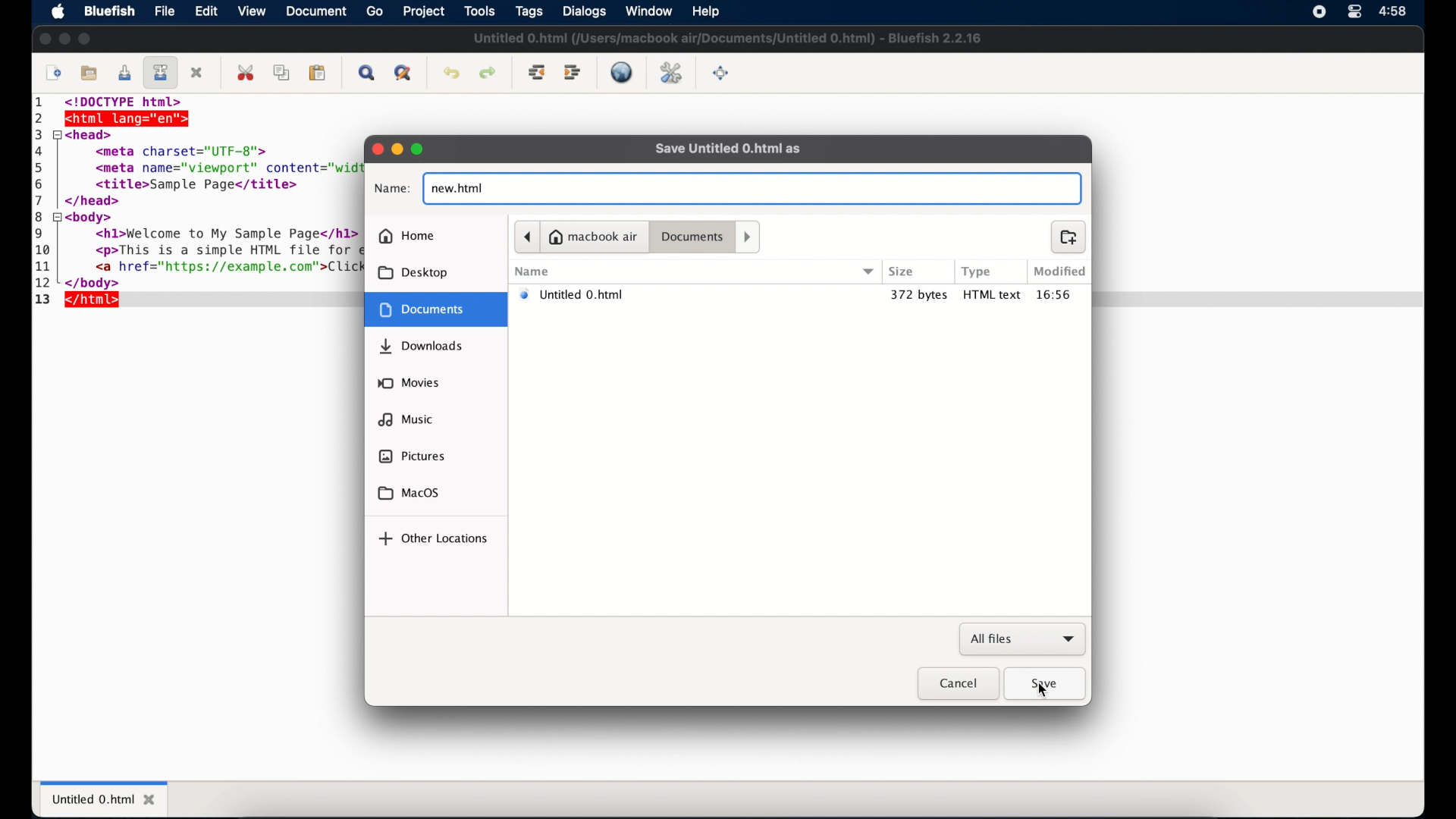 The height and width of the screenshot is (819, 1456). Describe the element at coordinates (1319, 11) in the screenshot. I see `screen recorder icon` at that location.